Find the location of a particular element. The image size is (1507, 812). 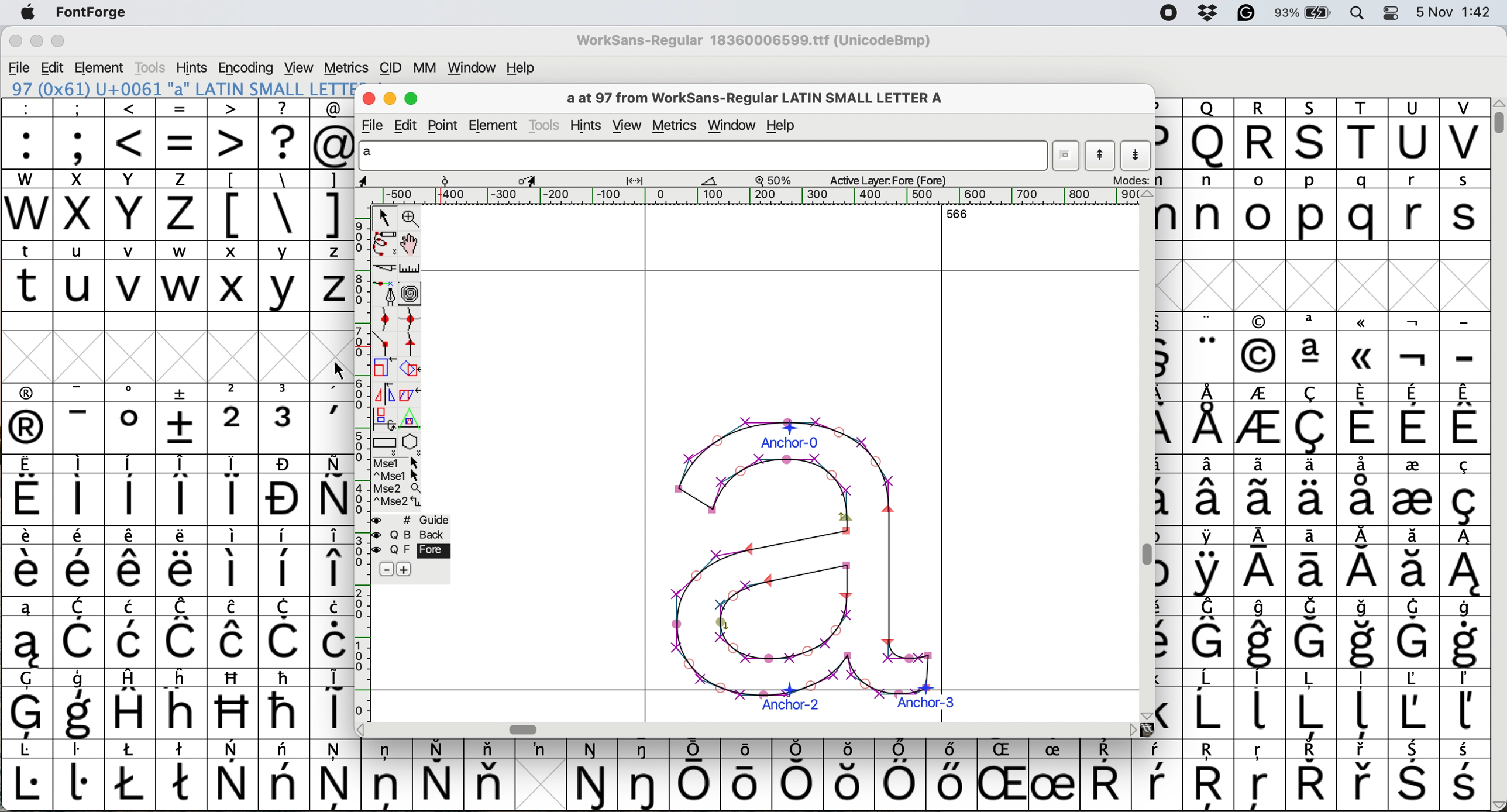

symbol is located at coordinates (332, 562).